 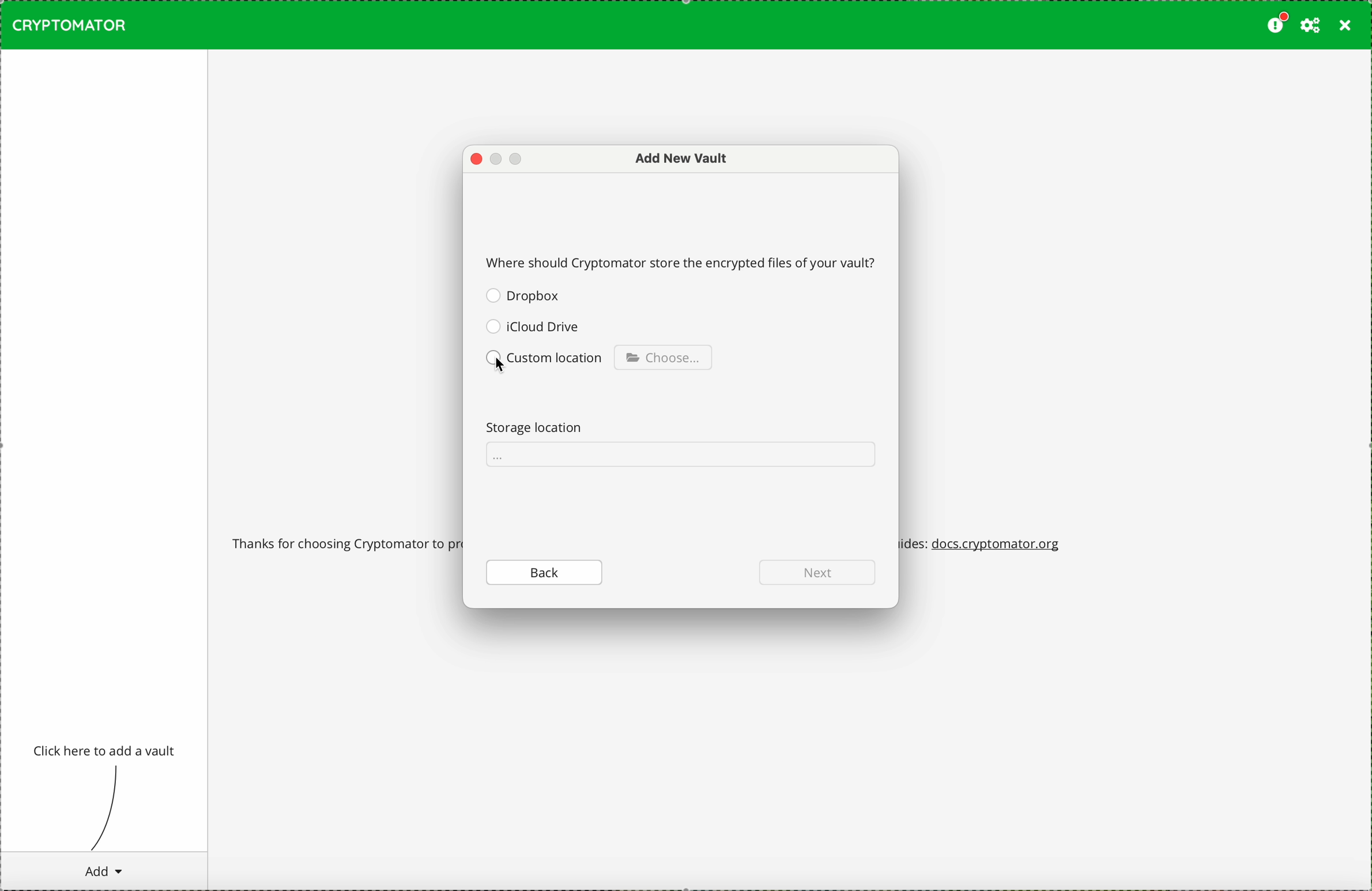 What do you see at coordinates (103, 871) in the screenshot?
I see `cursor on add button` at bounding box center [103, 871].